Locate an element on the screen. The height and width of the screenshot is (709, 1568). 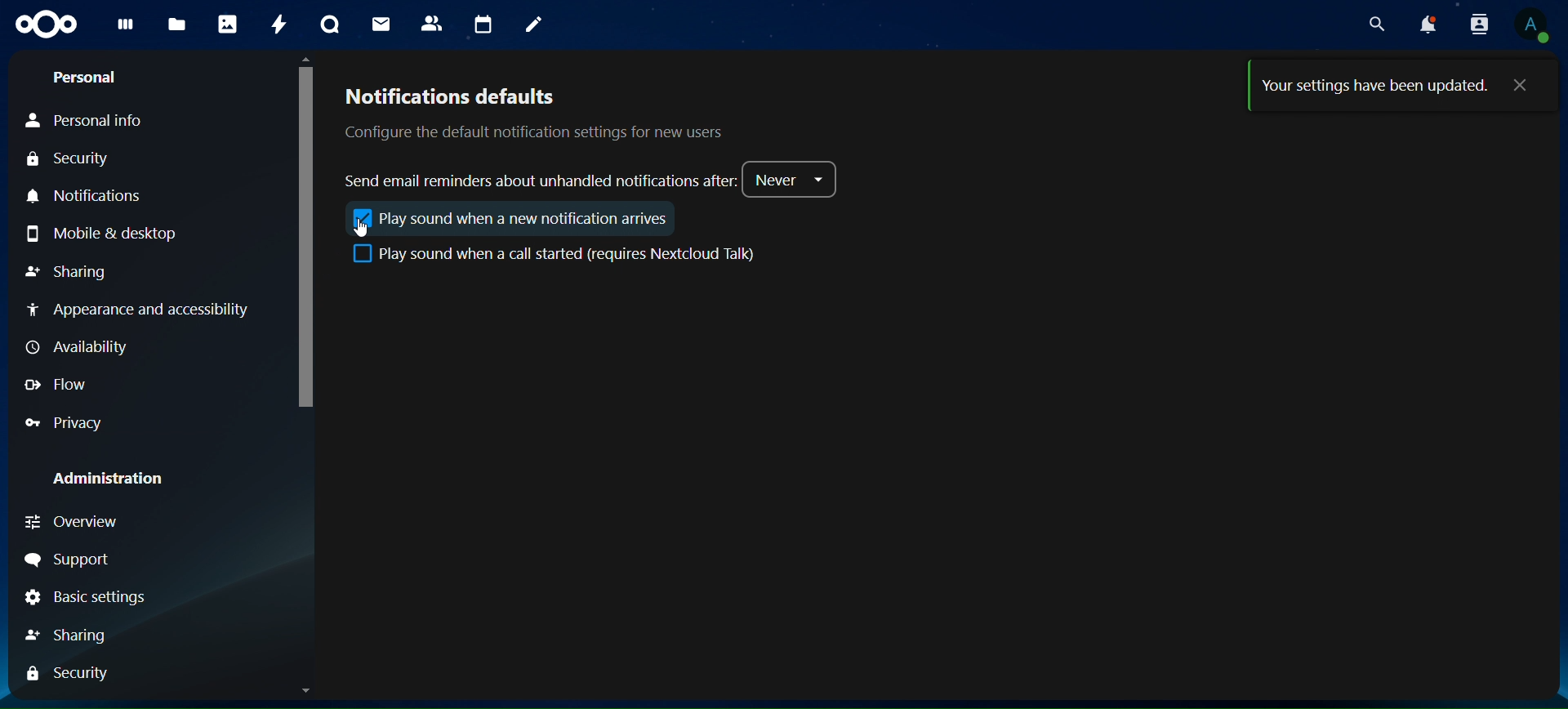
calendar is located at coordinates (481, 24).